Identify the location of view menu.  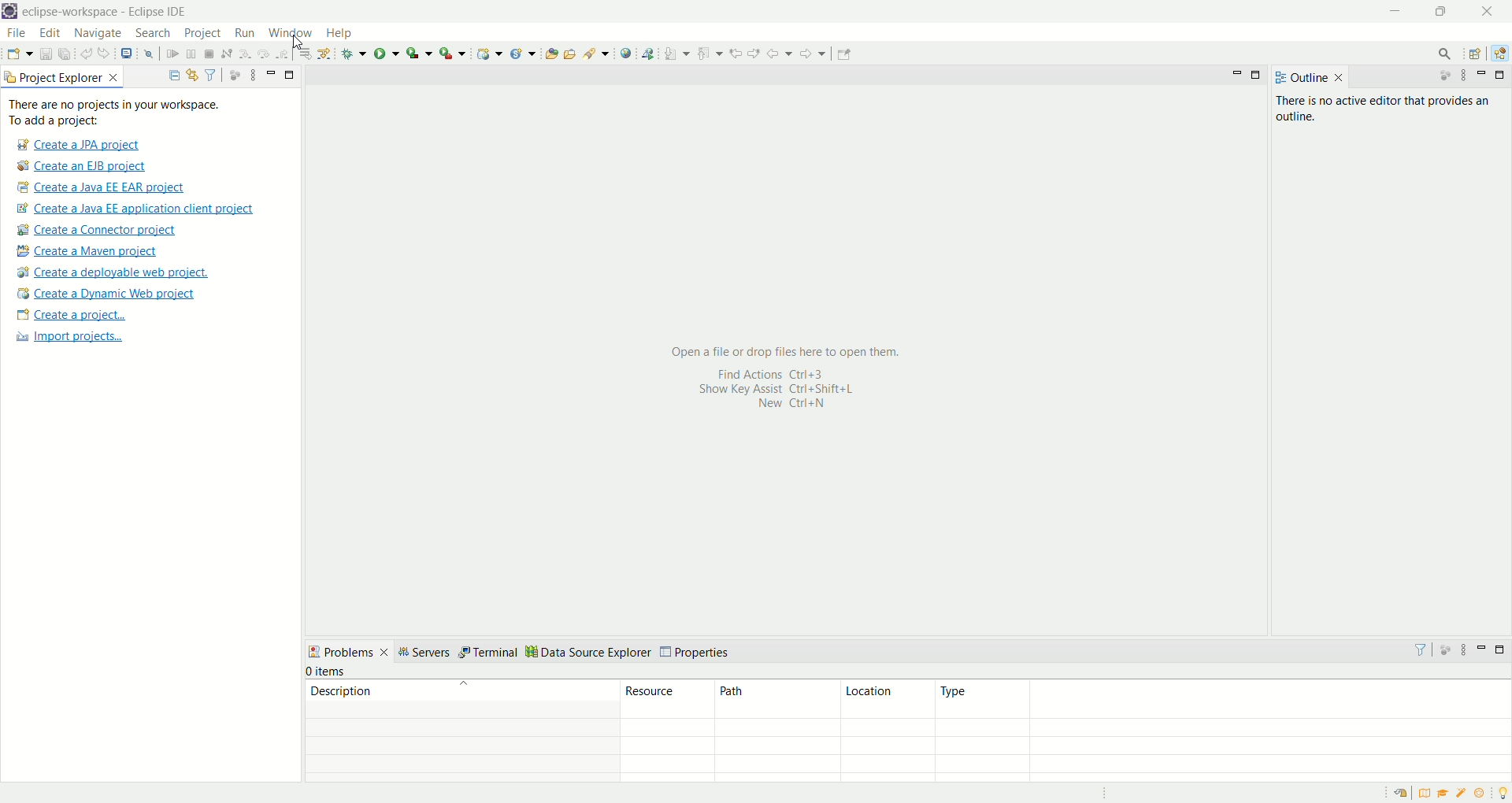
(1462, 76).